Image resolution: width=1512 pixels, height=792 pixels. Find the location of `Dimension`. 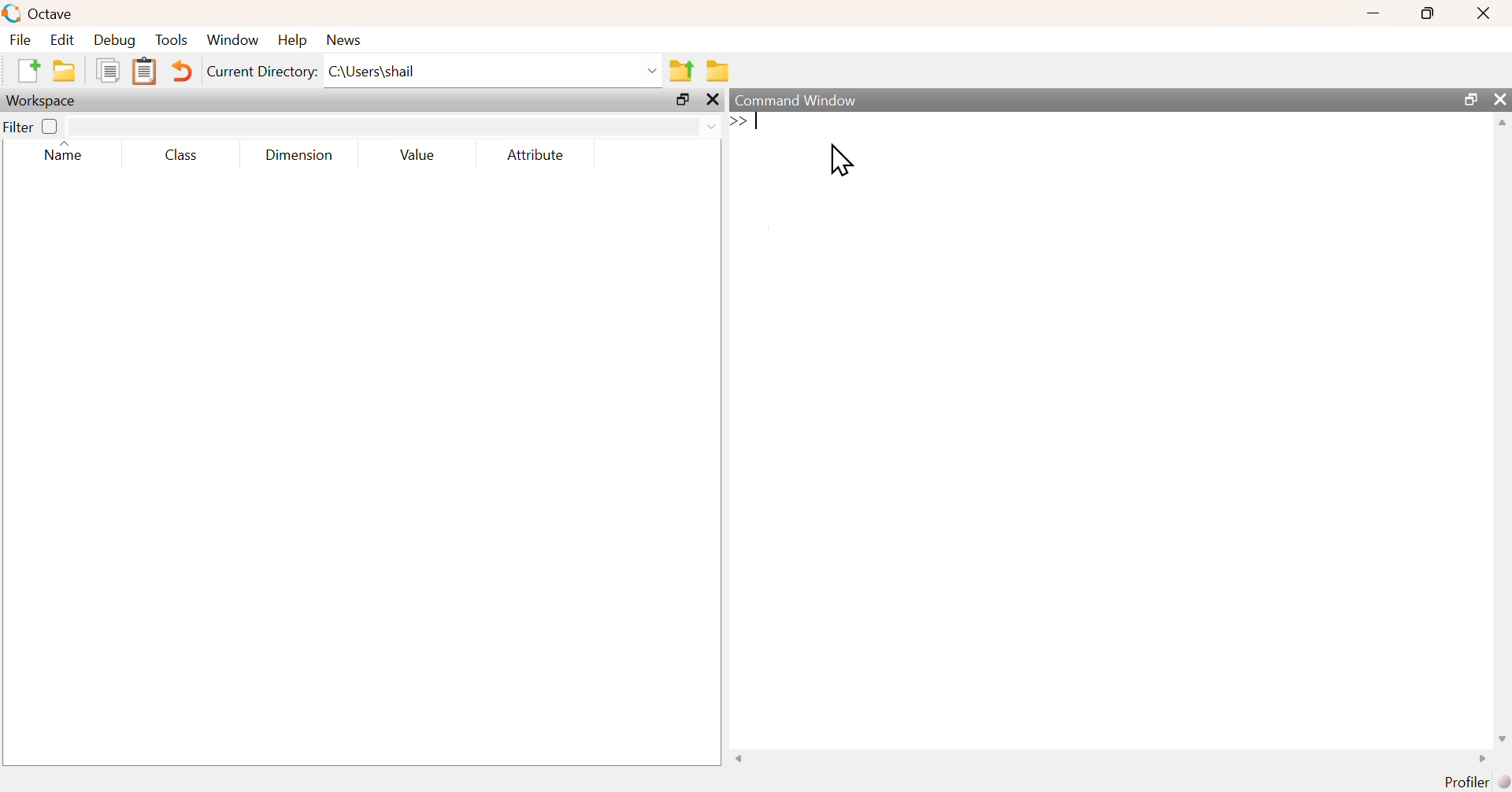

Dimension is located at coordinates (299, 156).